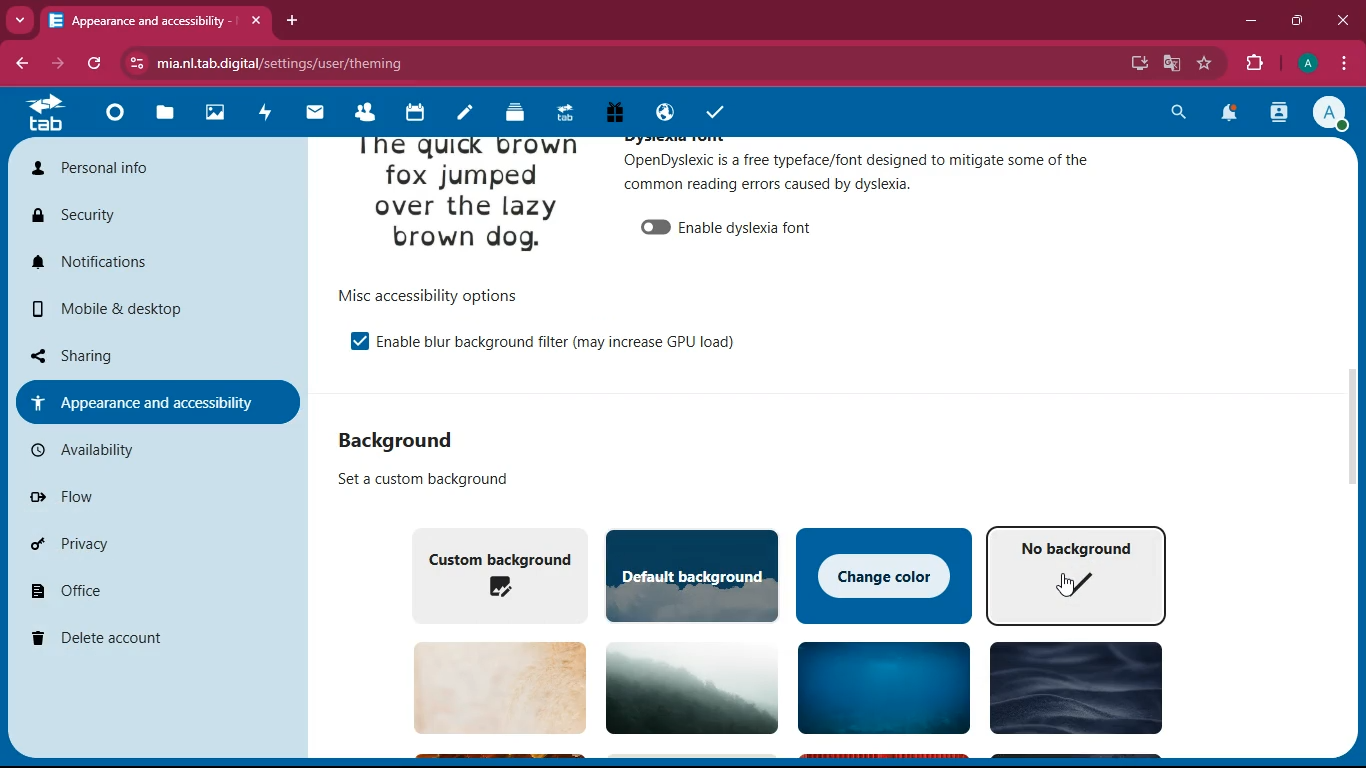  Describe the element at coordinates (22, 18) in the screenshot. I see `more` at that location.